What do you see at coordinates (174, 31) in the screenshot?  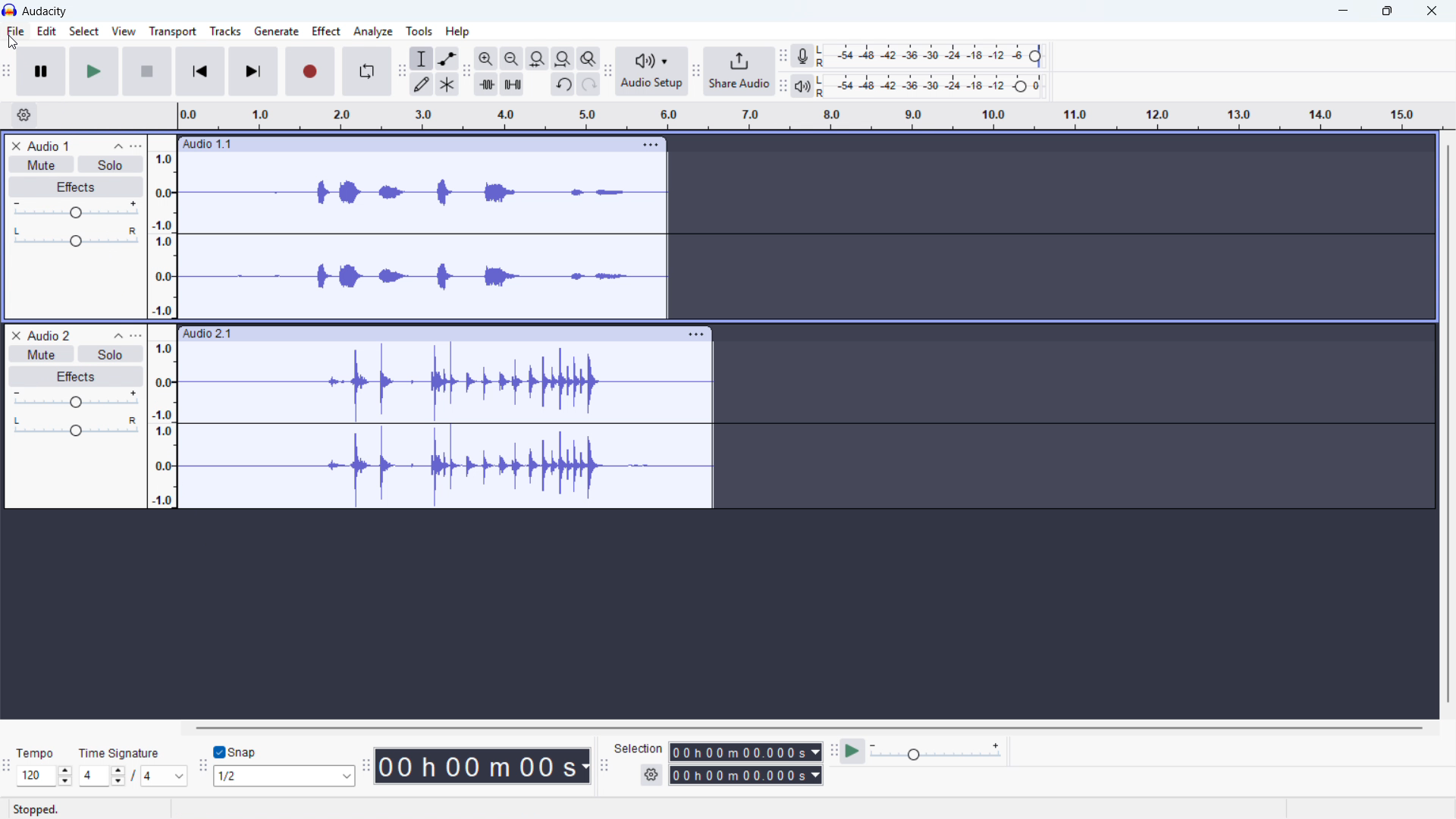 I see `Transport ` at bounding box center [174, 31].